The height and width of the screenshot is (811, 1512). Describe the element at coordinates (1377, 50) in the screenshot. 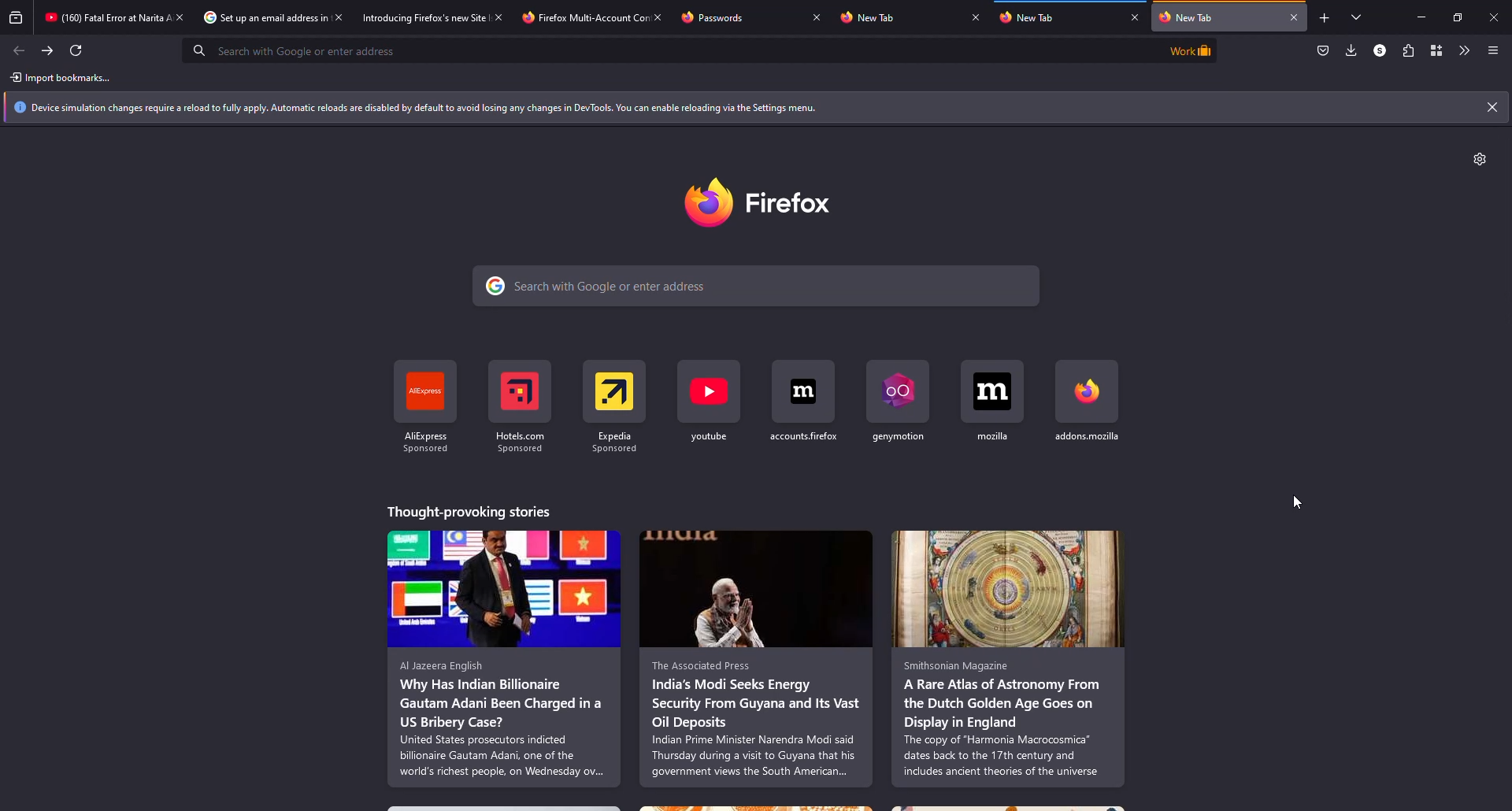

I see `profile` at that location.